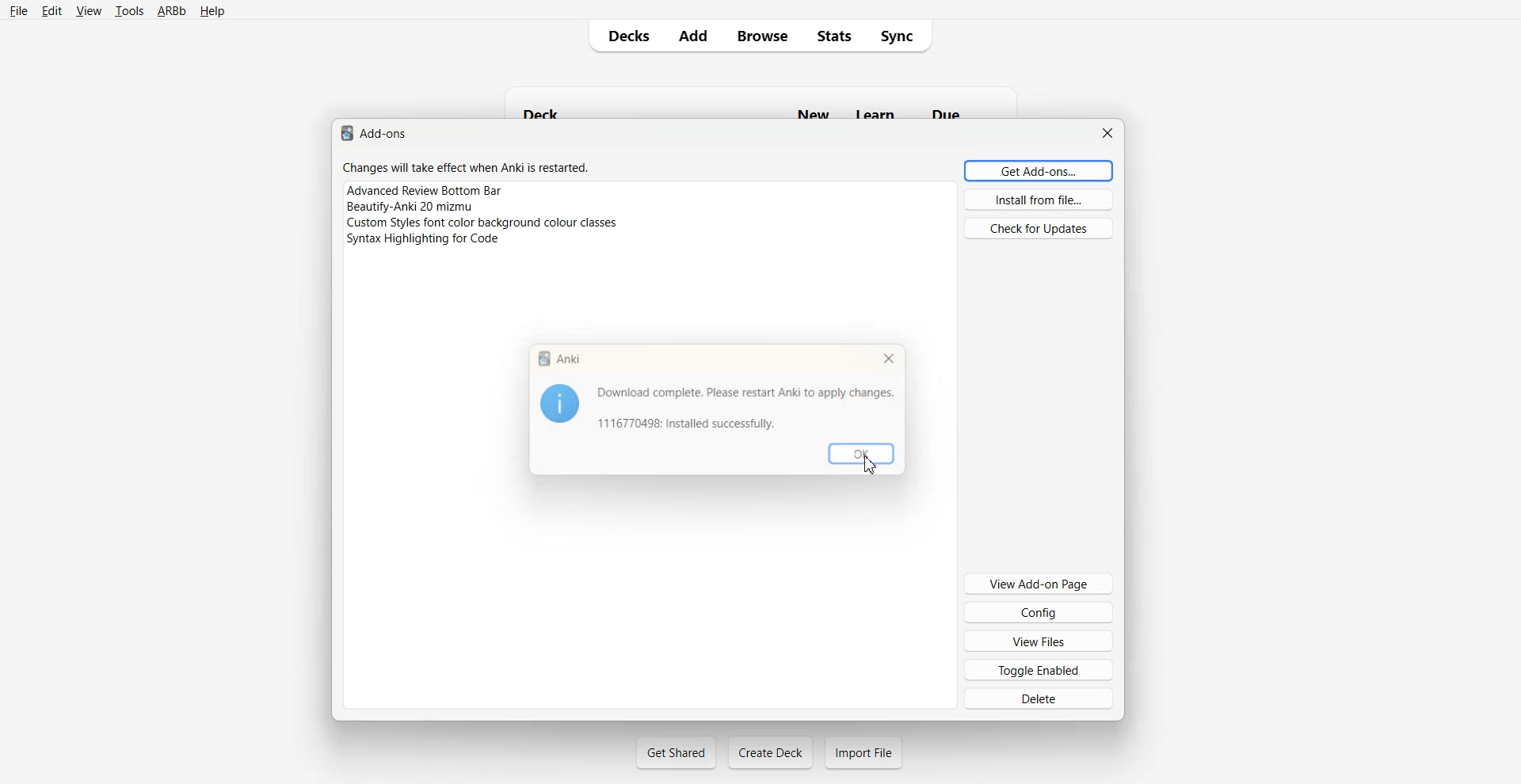 The image size is (1521, 784). What do you see at coordinates (692, 36) in the screenshot?
I see `Add` at bounding box center [692, 36].